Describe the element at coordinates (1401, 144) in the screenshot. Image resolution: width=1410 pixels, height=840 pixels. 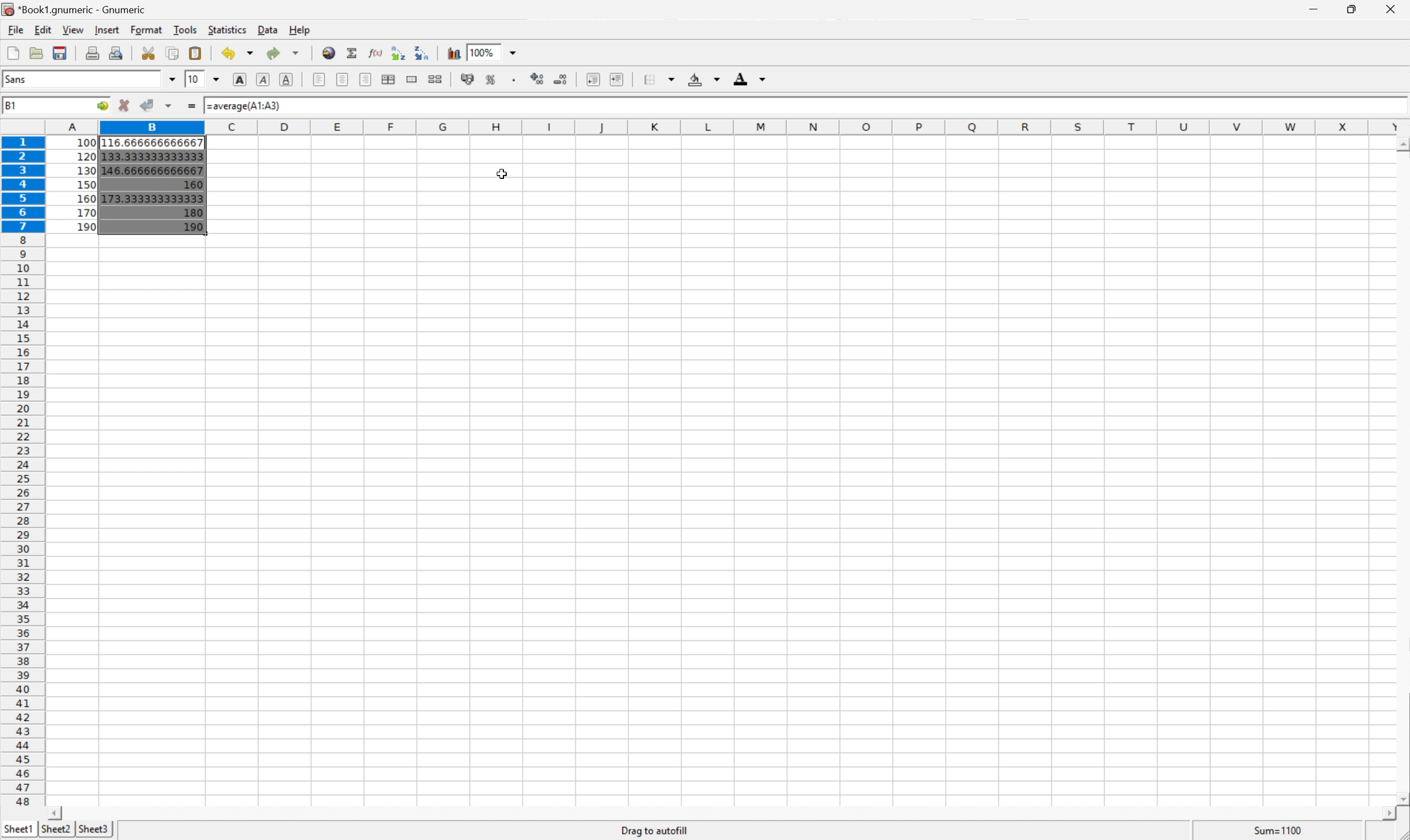
I see `Scroll Up` at that location.